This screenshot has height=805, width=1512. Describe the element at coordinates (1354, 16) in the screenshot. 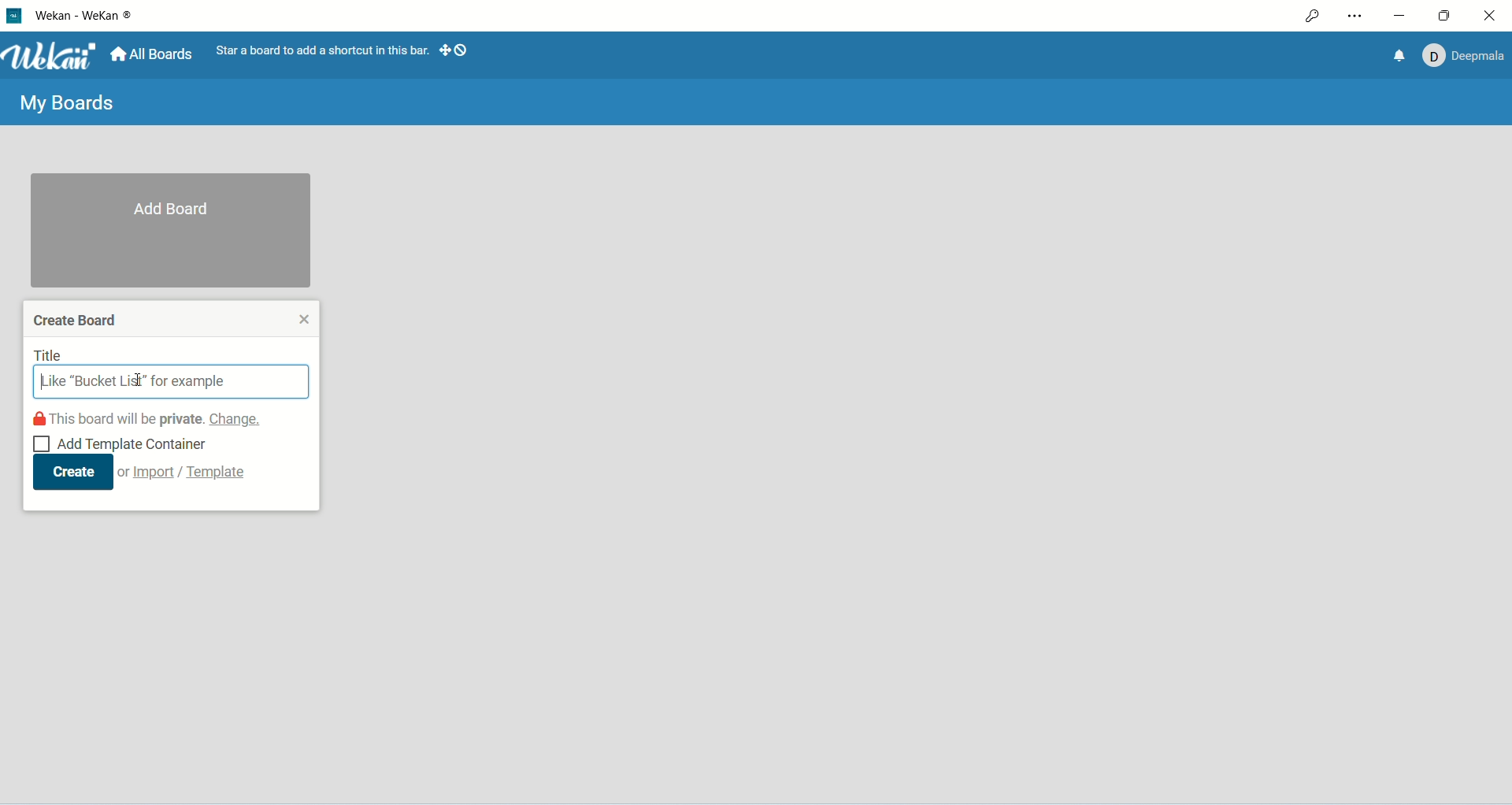

I see `settings and more` at that location.